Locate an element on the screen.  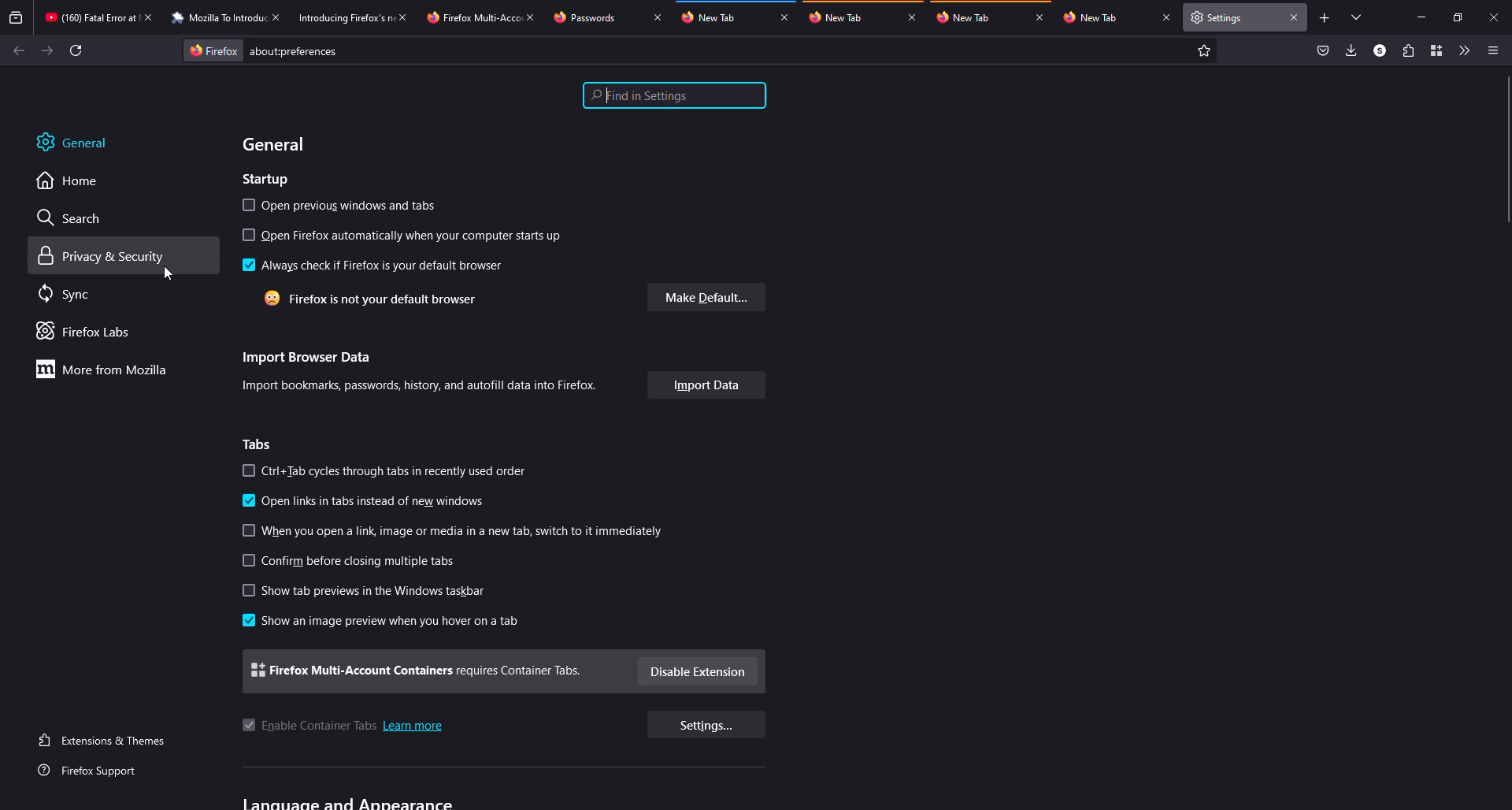
cursor is located at coordinates (169, 273).